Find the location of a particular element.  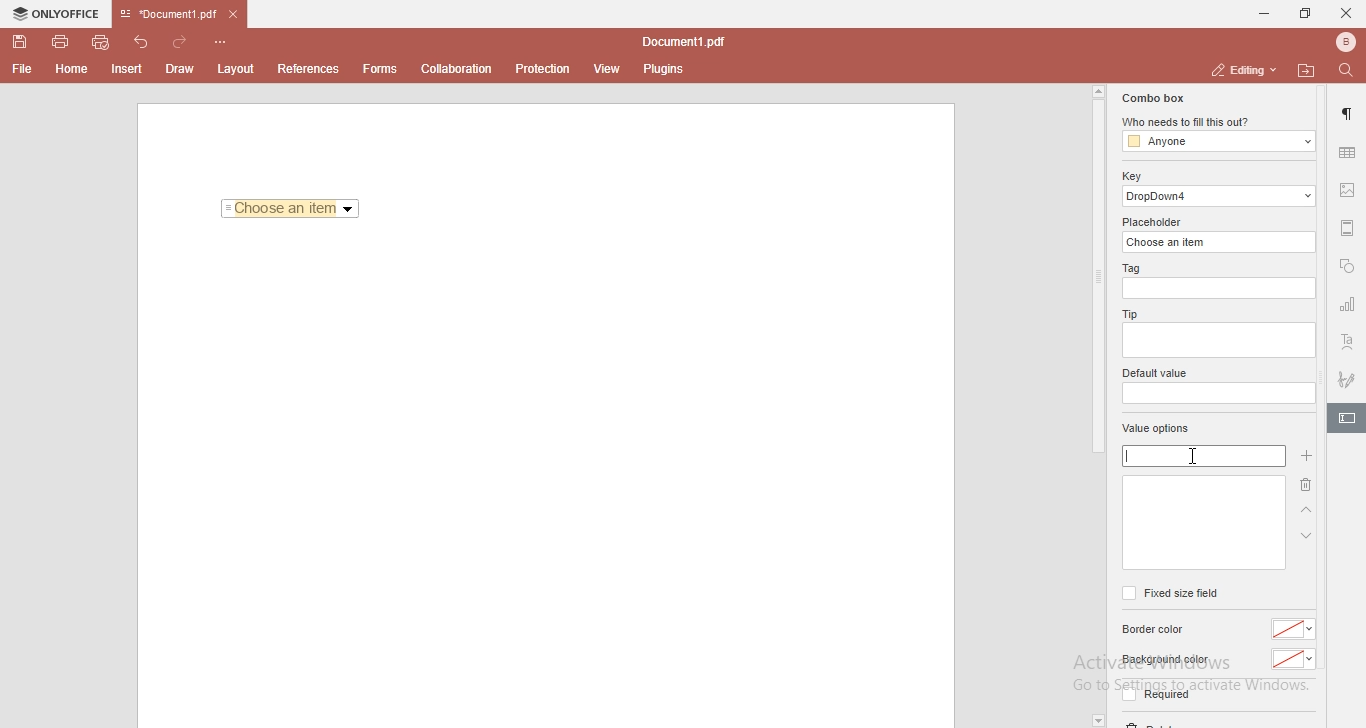

shapes is located at coordinates (1347, 268).